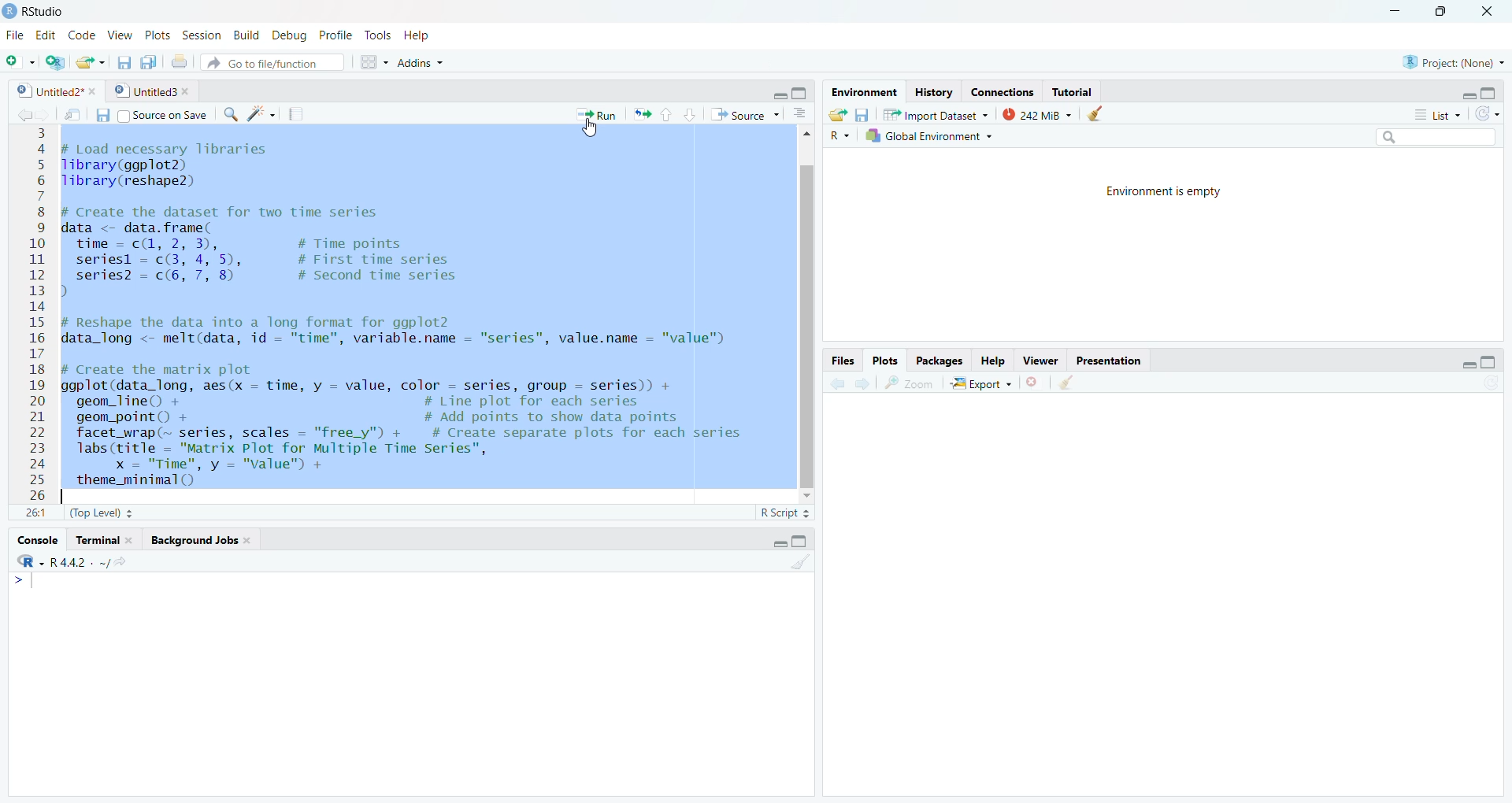  What do you see at coordinates (261, 114) in the screenshot?
I see `code tools` at bounding box center [261, 114].